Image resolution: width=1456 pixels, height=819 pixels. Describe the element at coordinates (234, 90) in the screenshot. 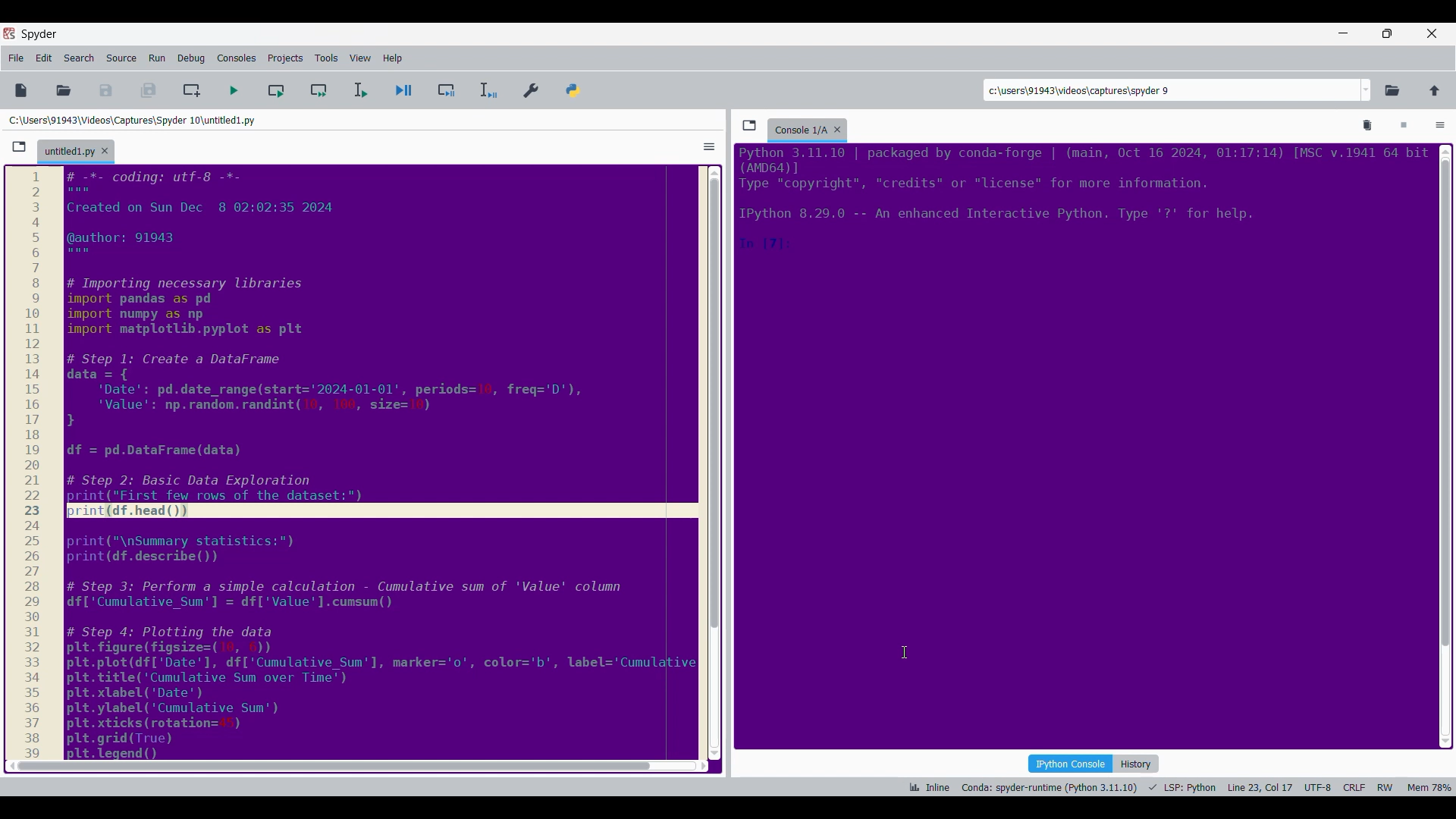

I see `Run file` at that location.